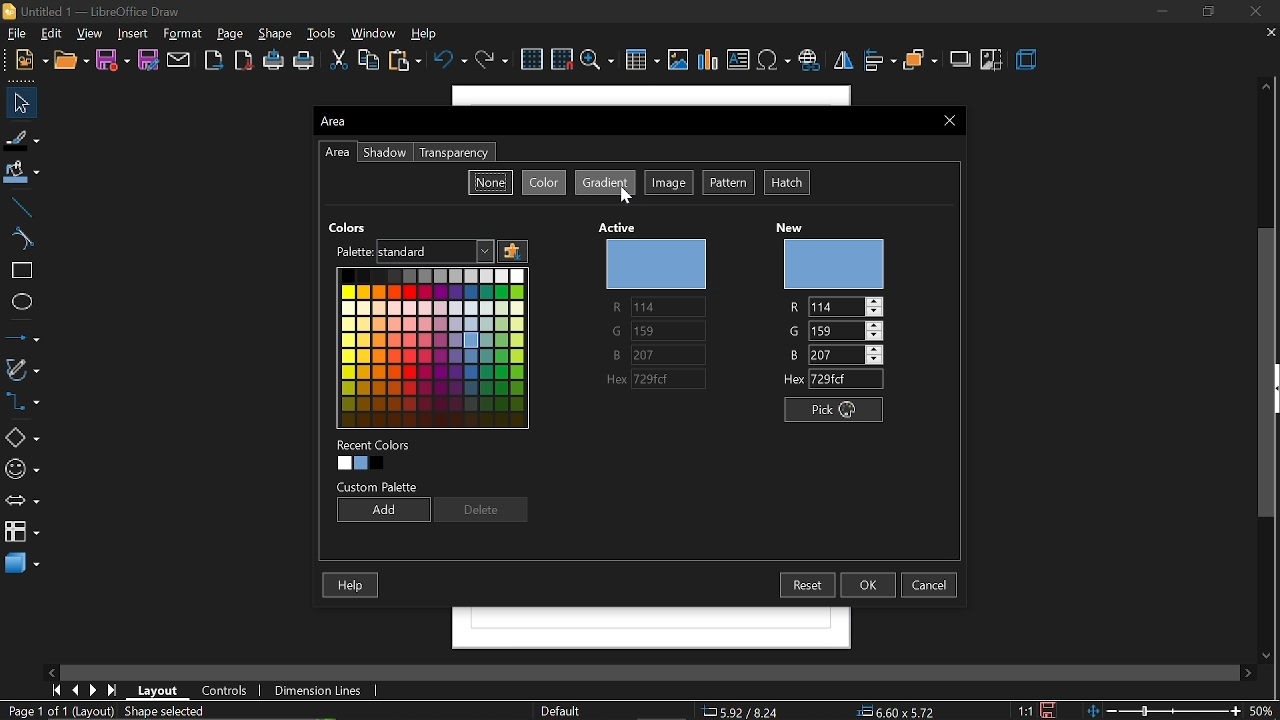 Image resolution: width=1280 pixels, height=720 pixels. Describe the element at coordinates (232, 35) in the screenshot. I see `page` at that location.